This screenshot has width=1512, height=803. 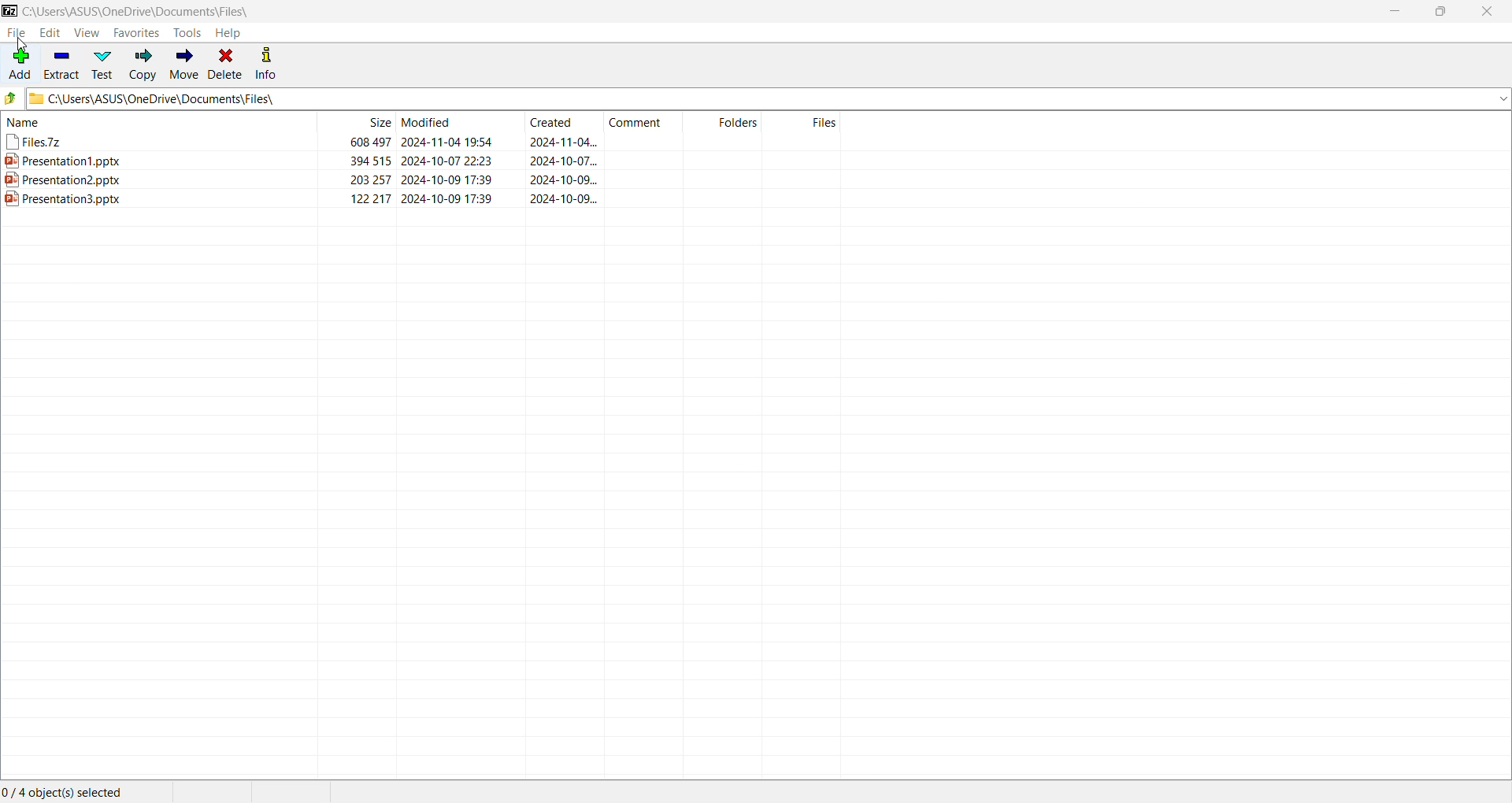 I want to click on Comment, so click(x=640, y=124).